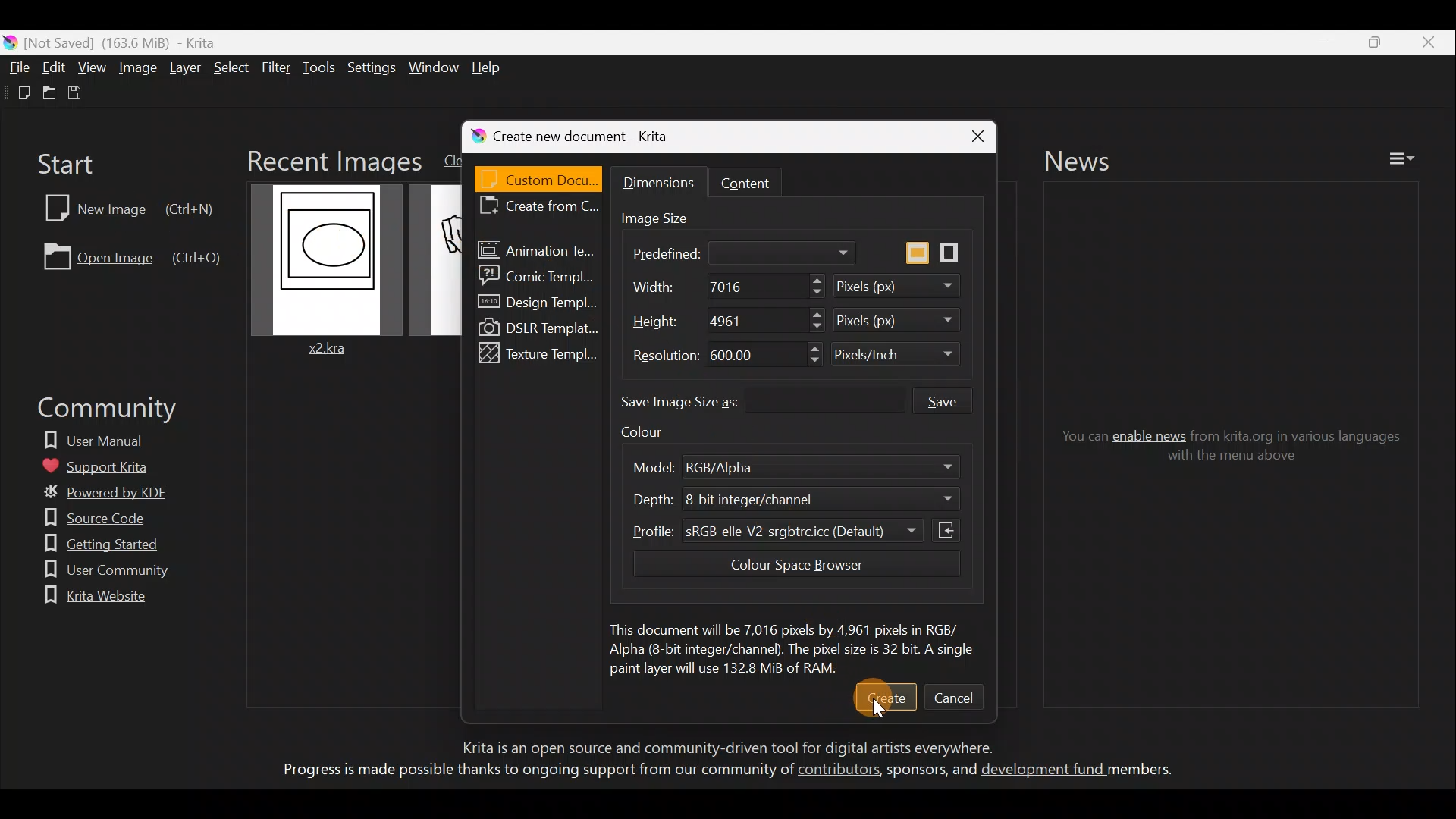 The image size is (1456, 819). I want to click on Save, so click(79, 96).